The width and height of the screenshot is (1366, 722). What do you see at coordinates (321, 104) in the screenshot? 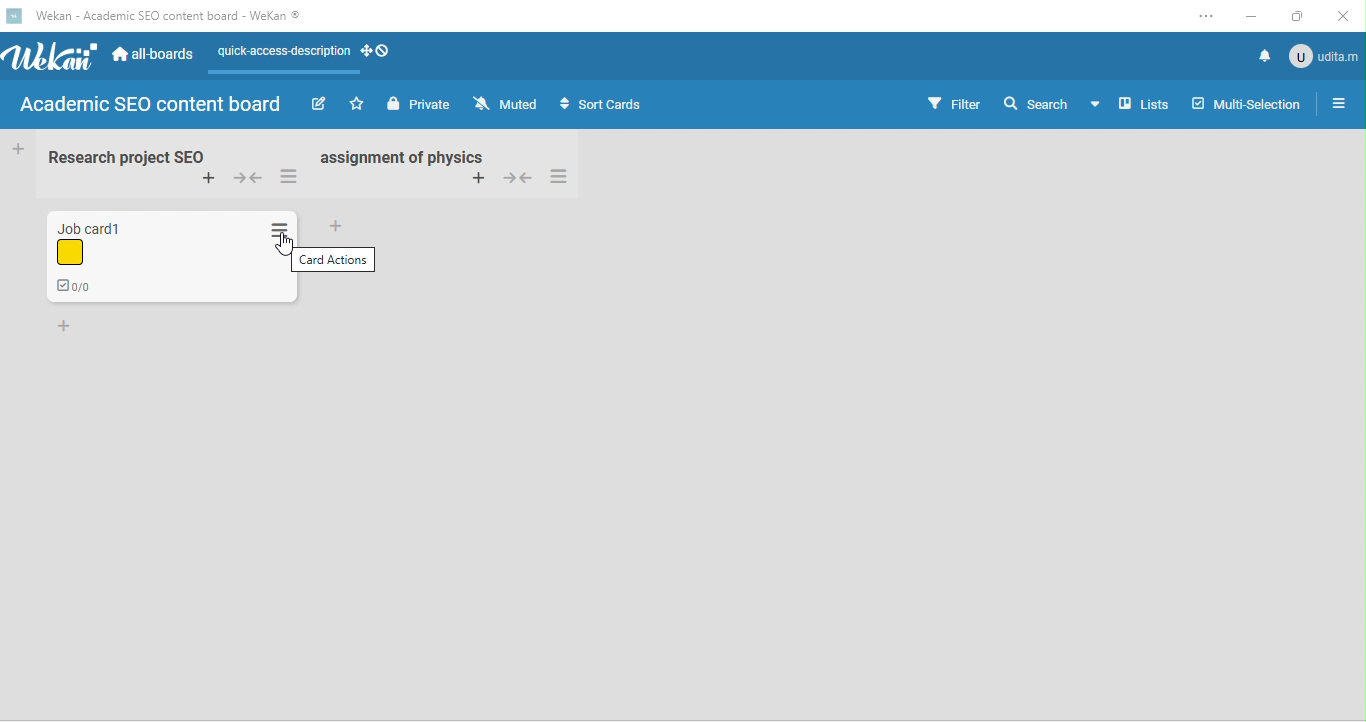
I see `edit` at bounding box center [321, 104].